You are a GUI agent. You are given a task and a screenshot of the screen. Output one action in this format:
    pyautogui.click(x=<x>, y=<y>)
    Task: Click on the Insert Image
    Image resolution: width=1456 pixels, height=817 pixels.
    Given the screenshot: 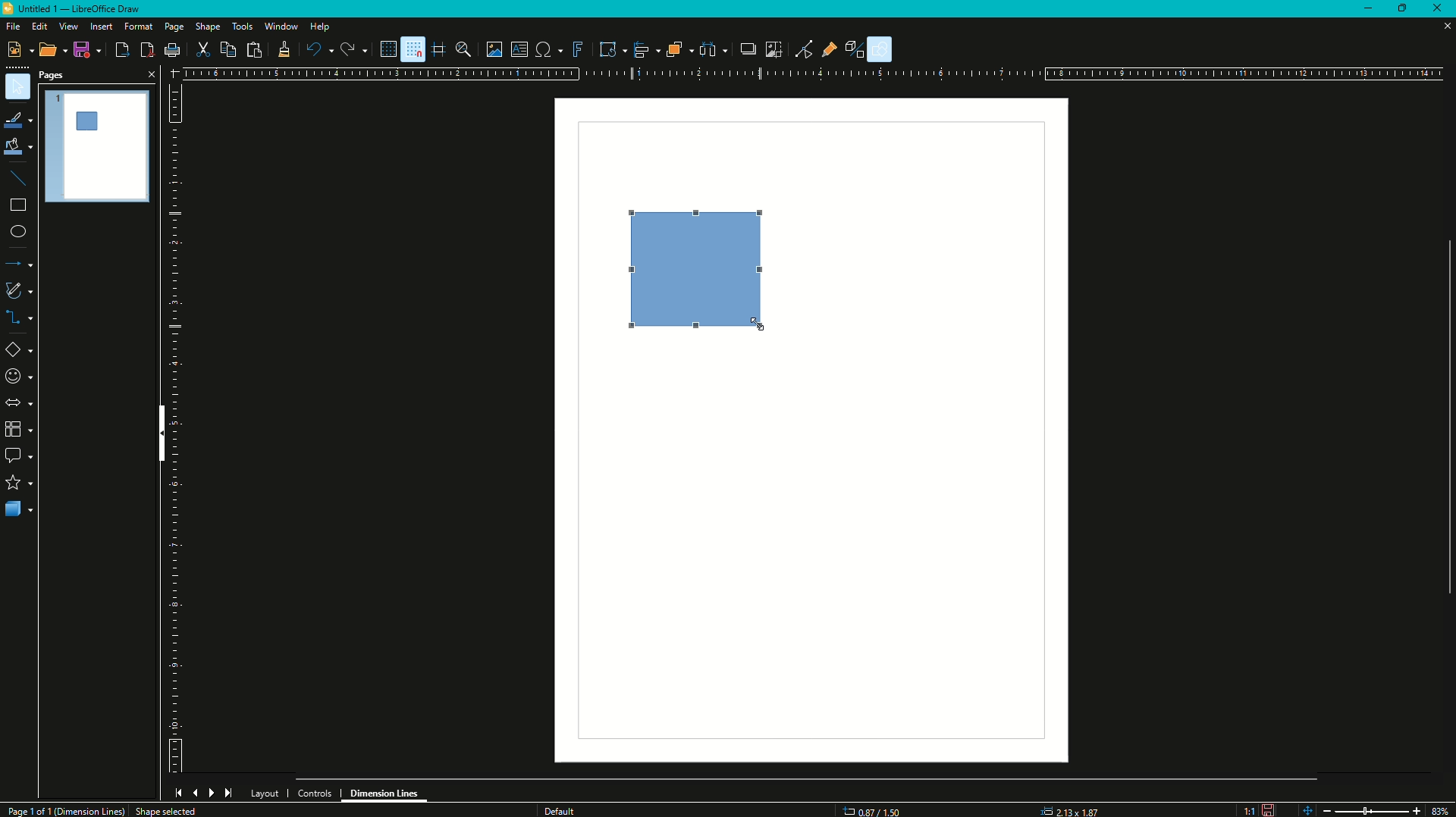 What is the action you would take?
    pyautogui.click(x=494, y=49)
    